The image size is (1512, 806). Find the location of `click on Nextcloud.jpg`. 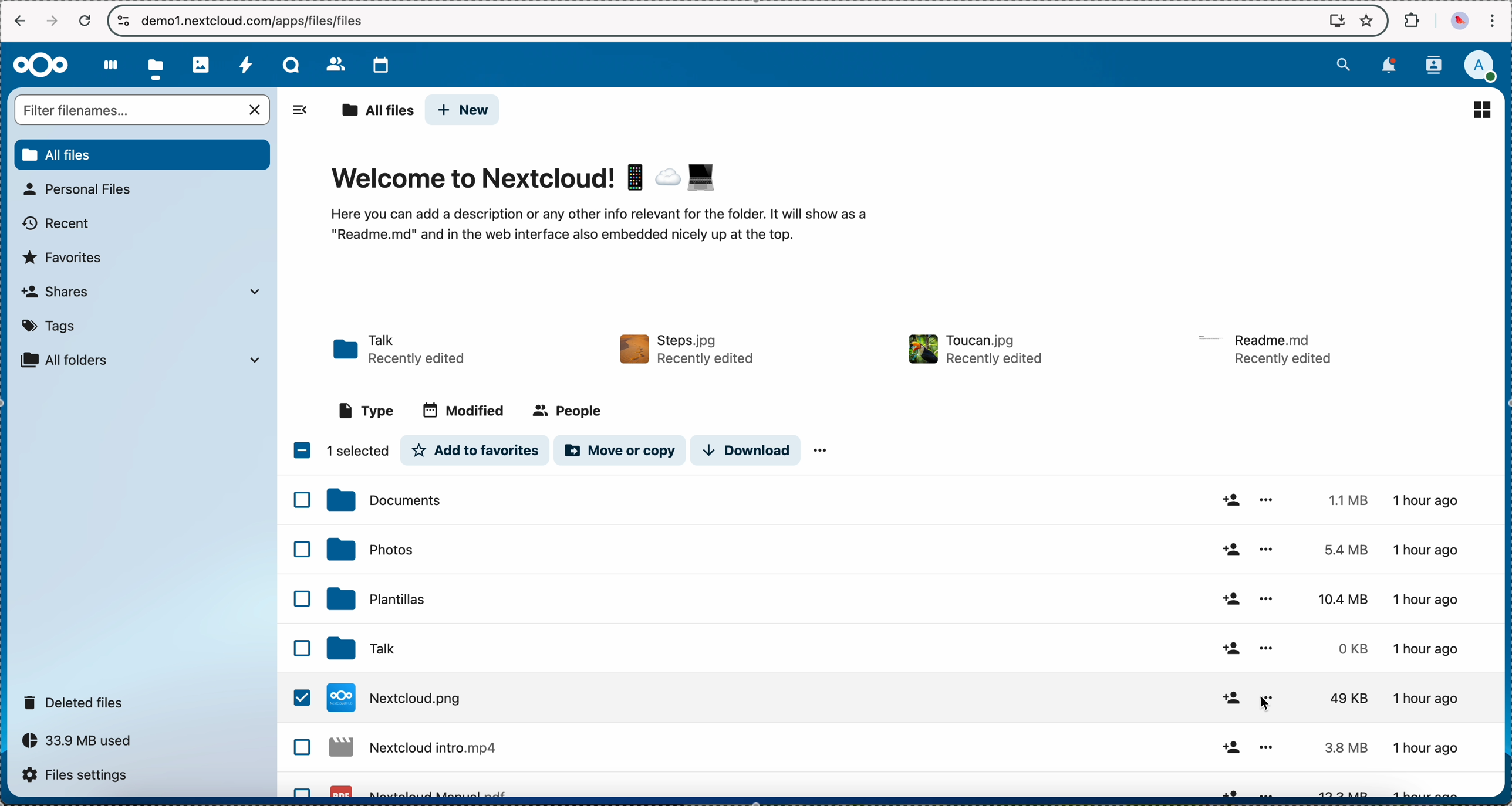

click on Nextcloud.jpg is located at coordinates (895, 649).